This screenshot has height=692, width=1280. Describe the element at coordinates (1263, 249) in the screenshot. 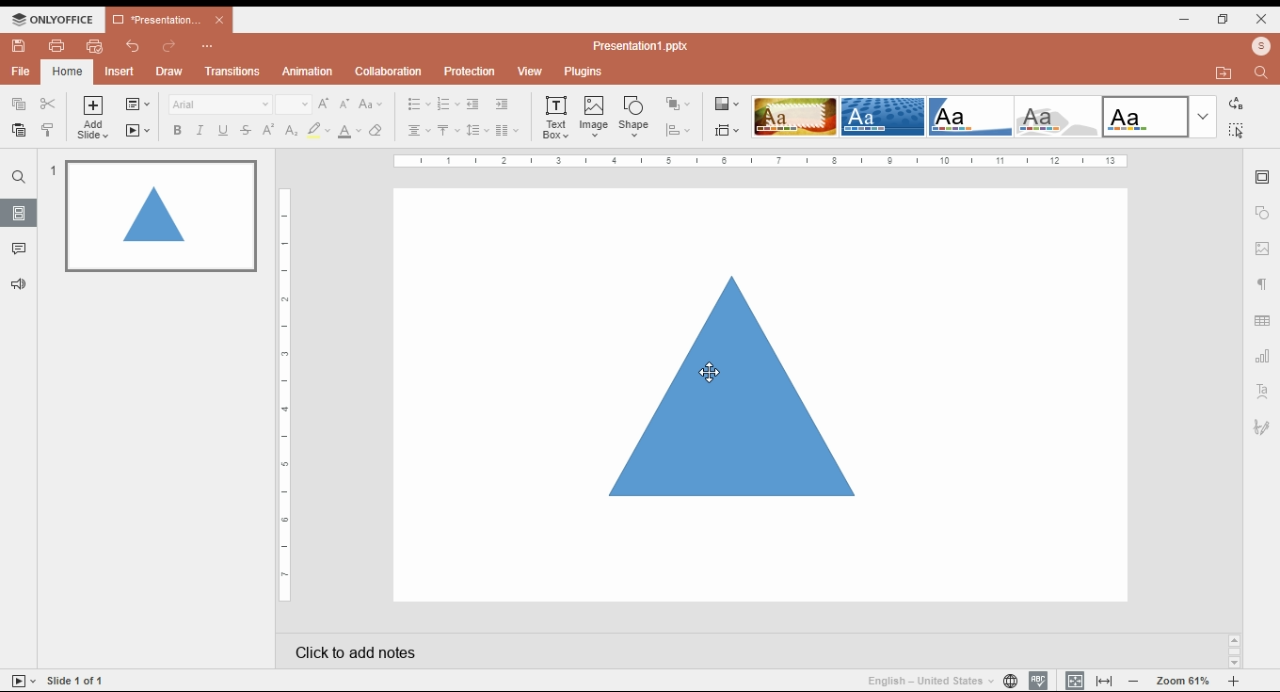

I see `image setting` at that location.